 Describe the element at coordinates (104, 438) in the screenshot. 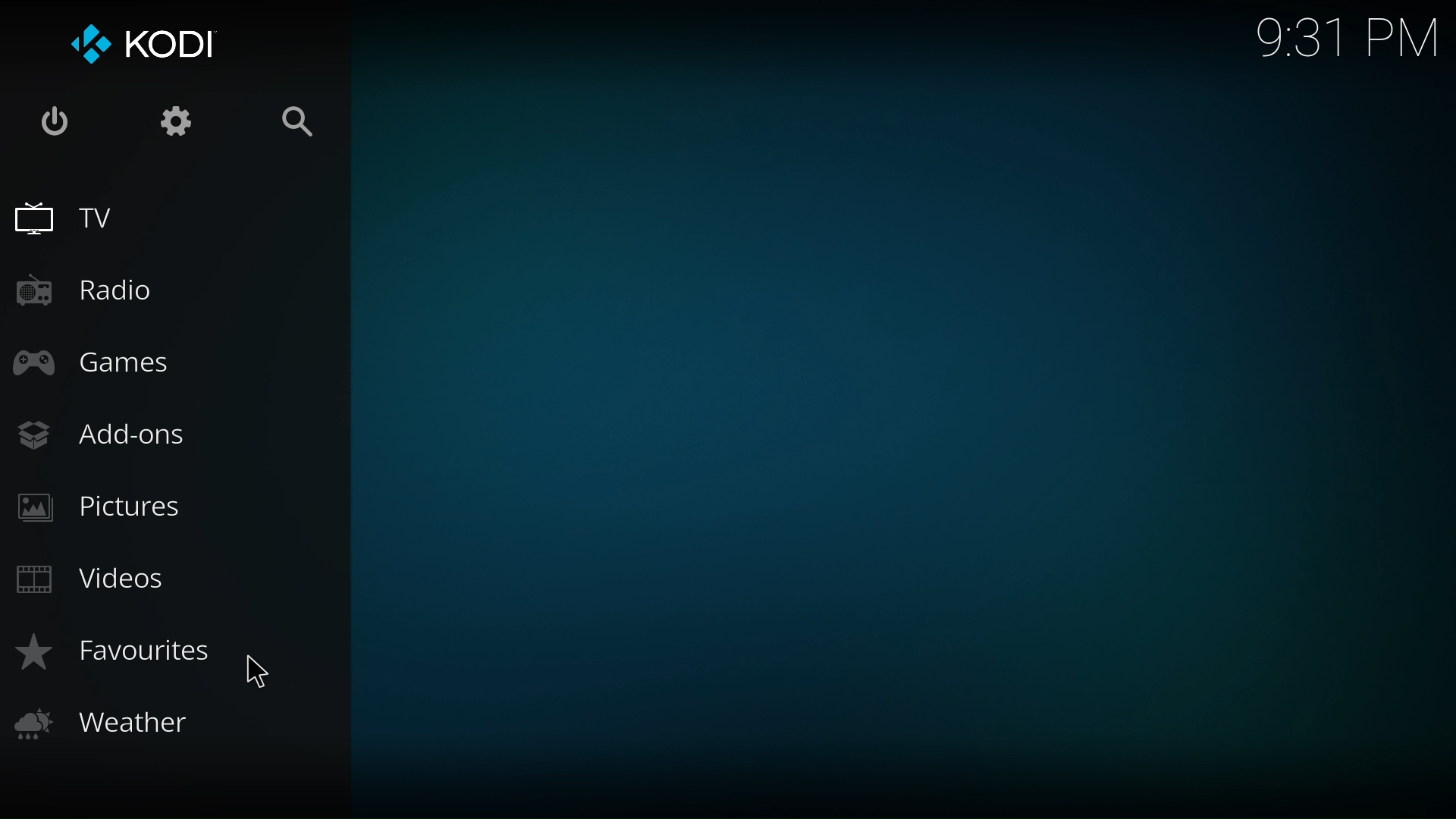

I see `add ons` at that location.